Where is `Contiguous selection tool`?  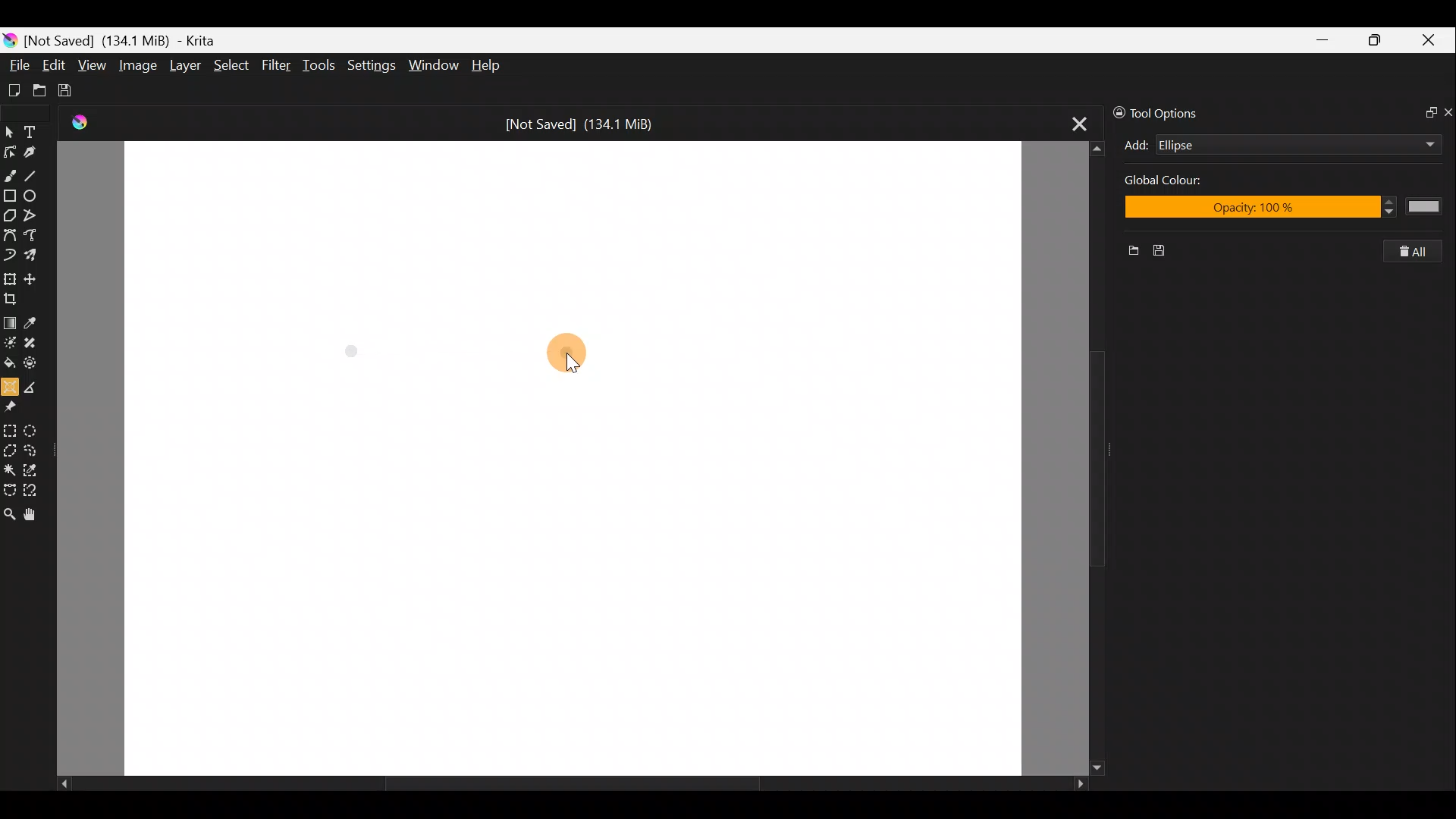 Contiguous selection tool is located at coordinates (10, 468).